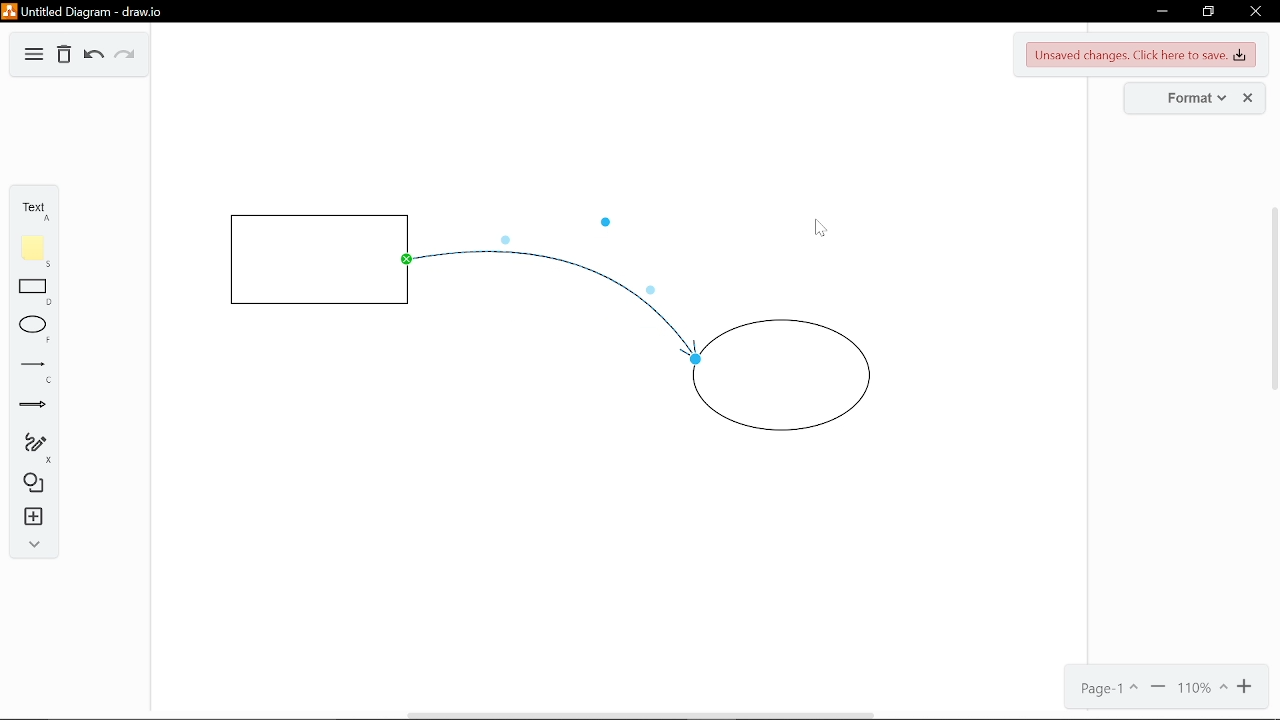 Image resolution: width=1280 pixels, height=720 pixels. What do you see at coordinates (92, 57) in the screenshot?
I see `Undo` at bounding box center [92, 57].